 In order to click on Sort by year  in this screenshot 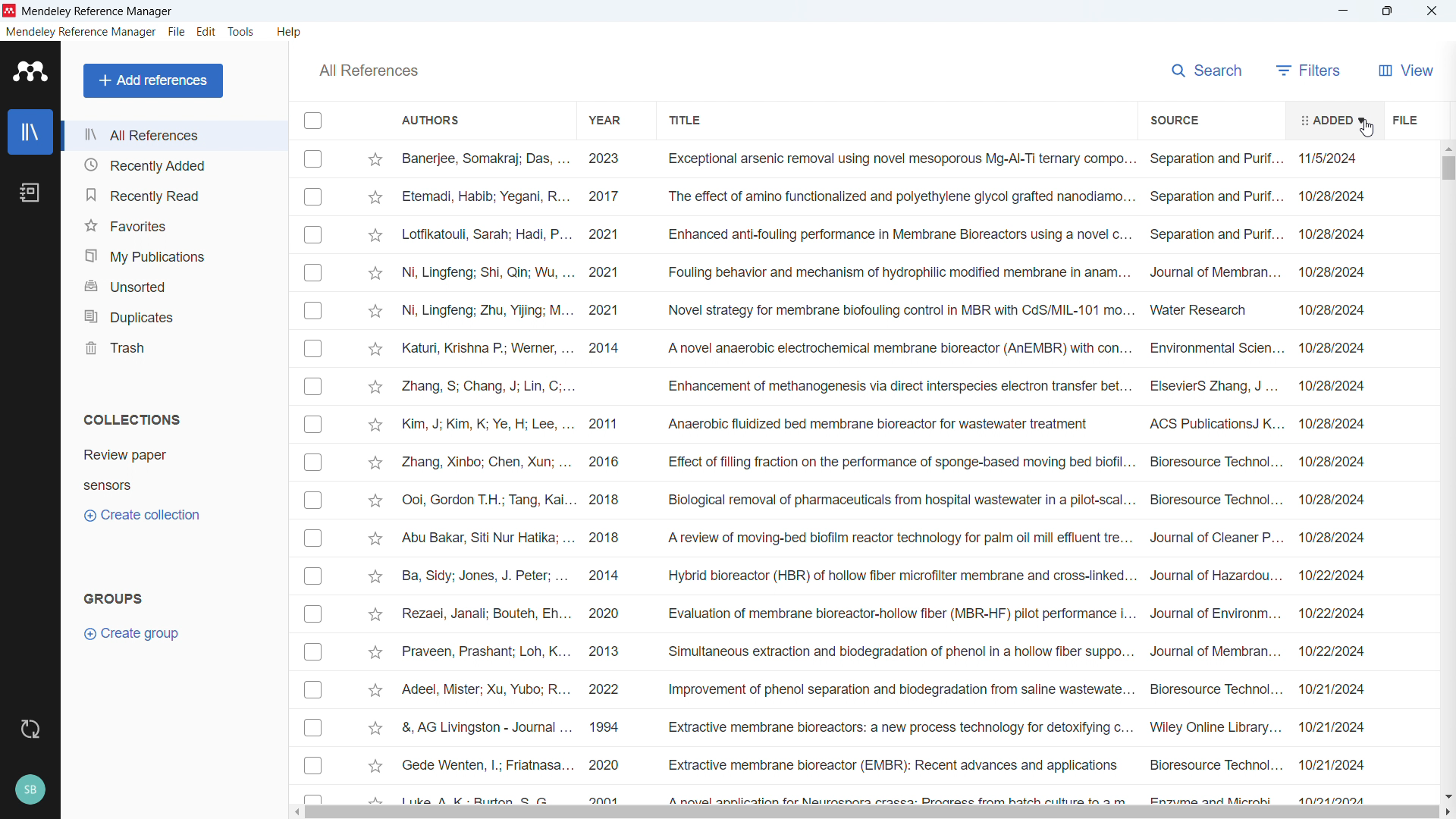, I will do `click(604, 121)`.